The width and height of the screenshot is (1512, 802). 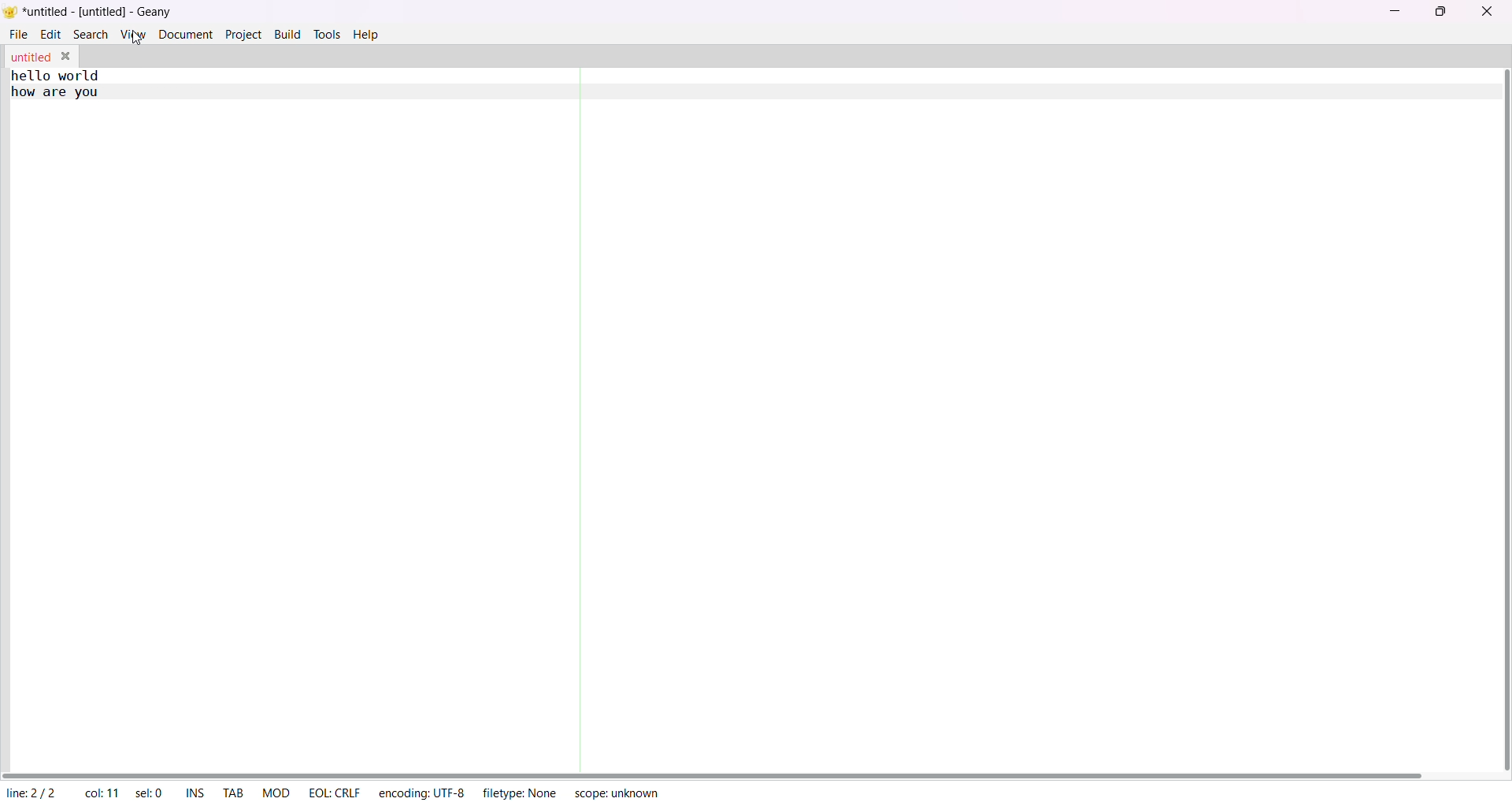 What do you see at coordinates (148, 792) in the screenshot?
I see `selected` at bounding box center [148, 792].